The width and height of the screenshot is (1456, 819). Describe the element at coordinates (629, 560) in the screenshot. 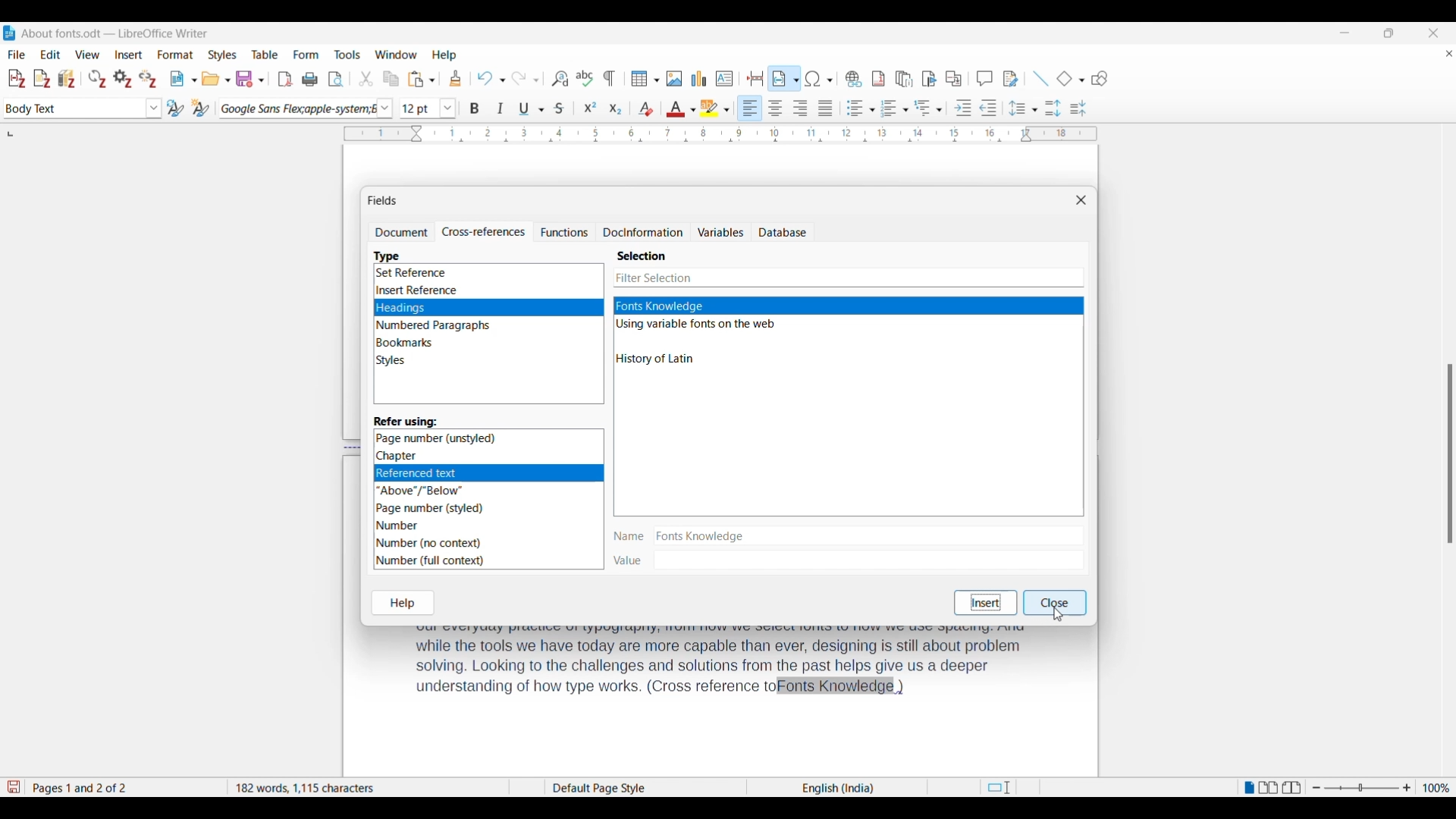

I see `| Value` at that location.